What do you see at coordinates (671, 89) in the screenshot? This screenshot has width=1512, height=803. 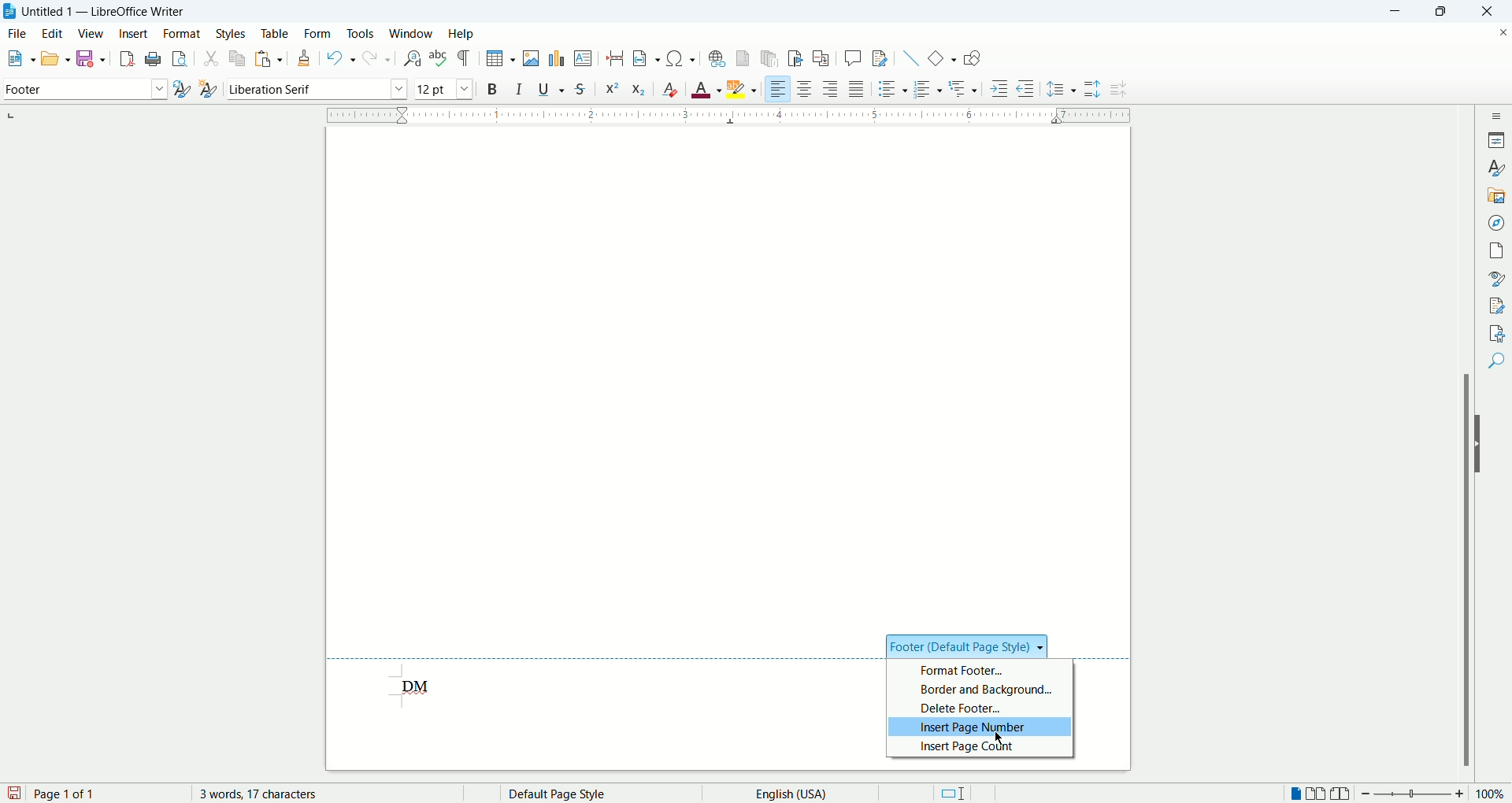 I see `clear formatting` at bounding box center [671, 89].